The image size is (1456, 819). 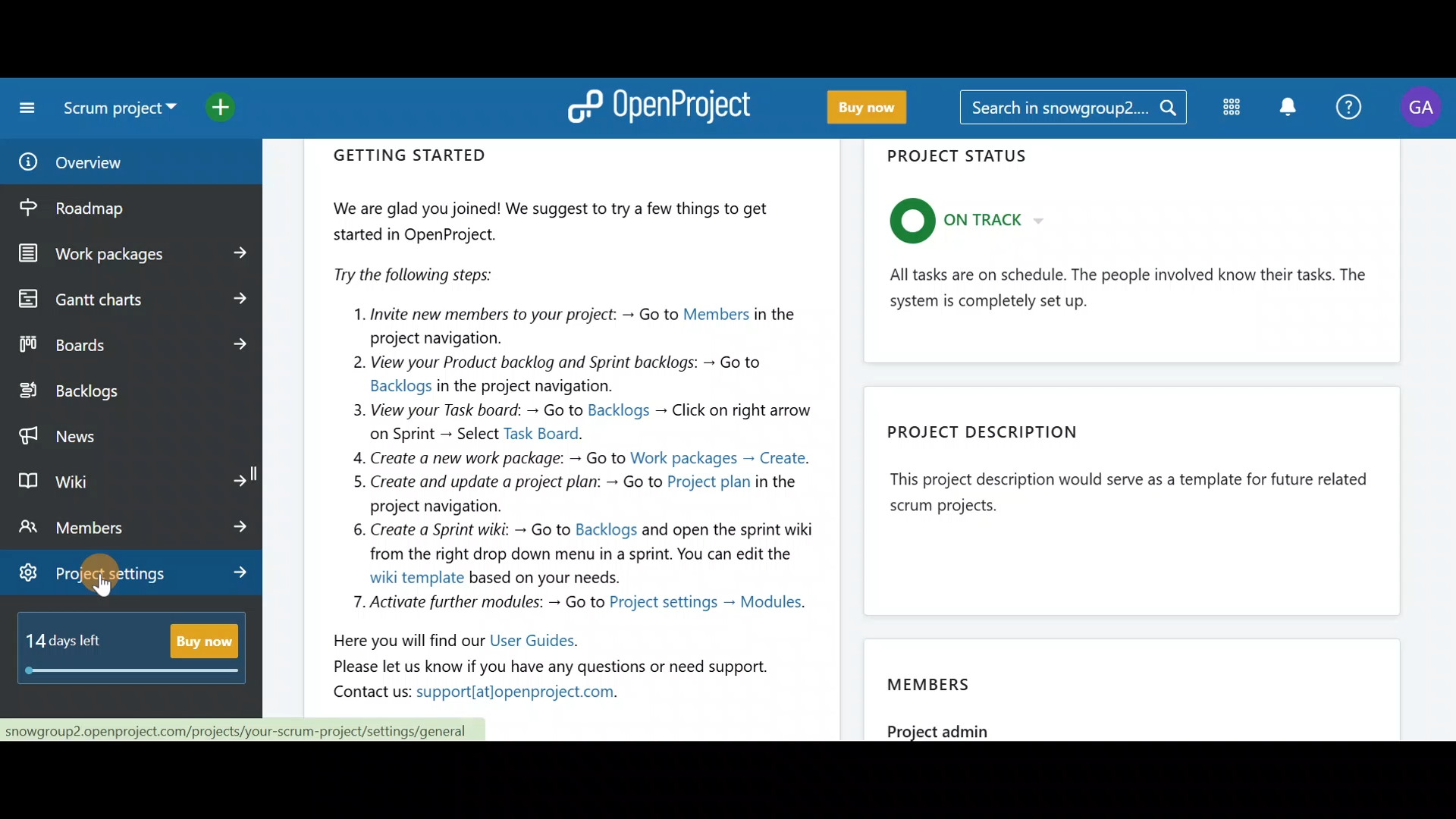 What do you see at coordinates (1351, 105) in the screenshot?
I see `Help` at bounding box center [1351, 105].